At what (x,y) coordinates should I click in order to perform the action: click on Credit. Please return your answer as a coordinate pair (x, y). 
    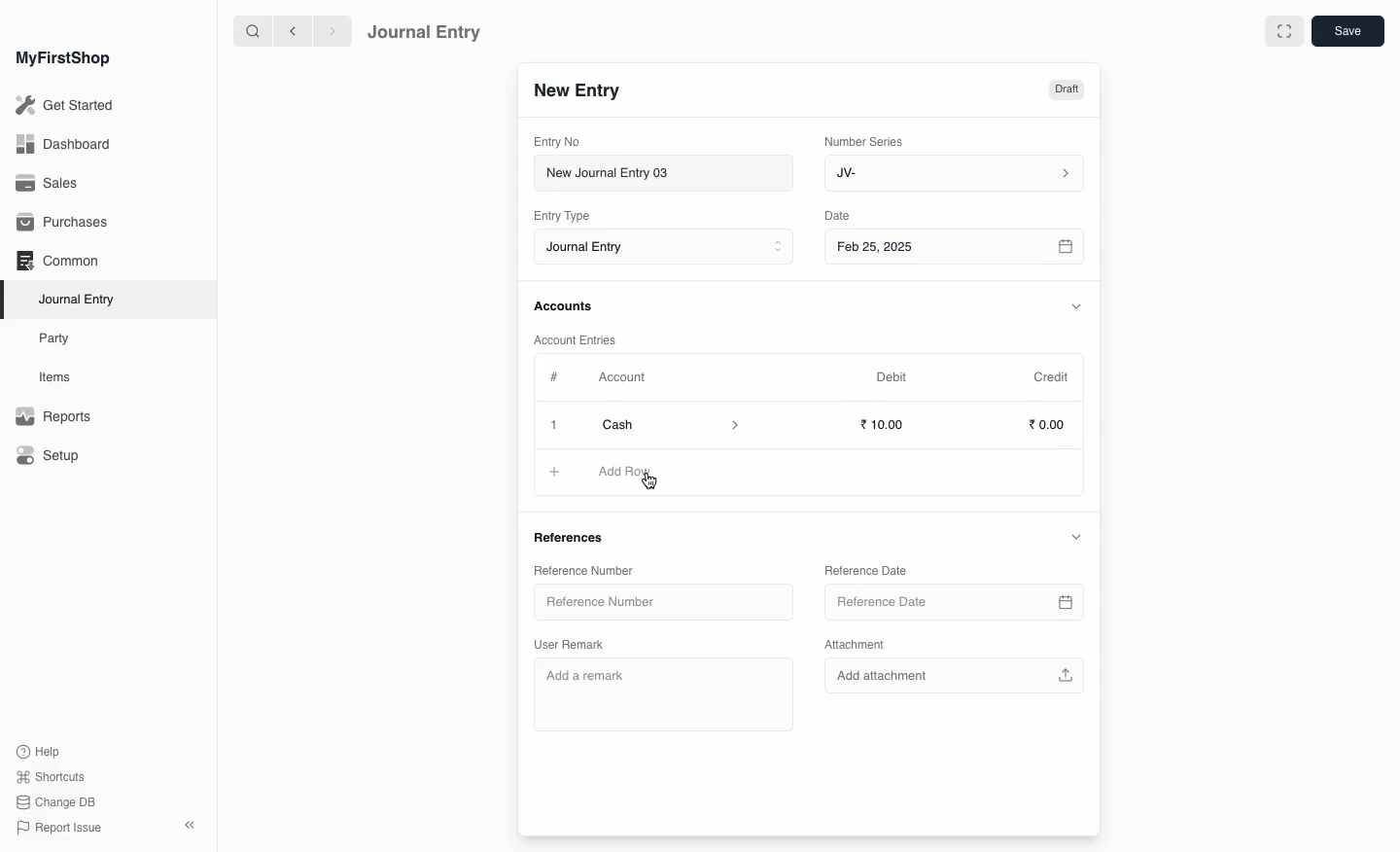
    Looking at the image, I should click on (1050, 375).